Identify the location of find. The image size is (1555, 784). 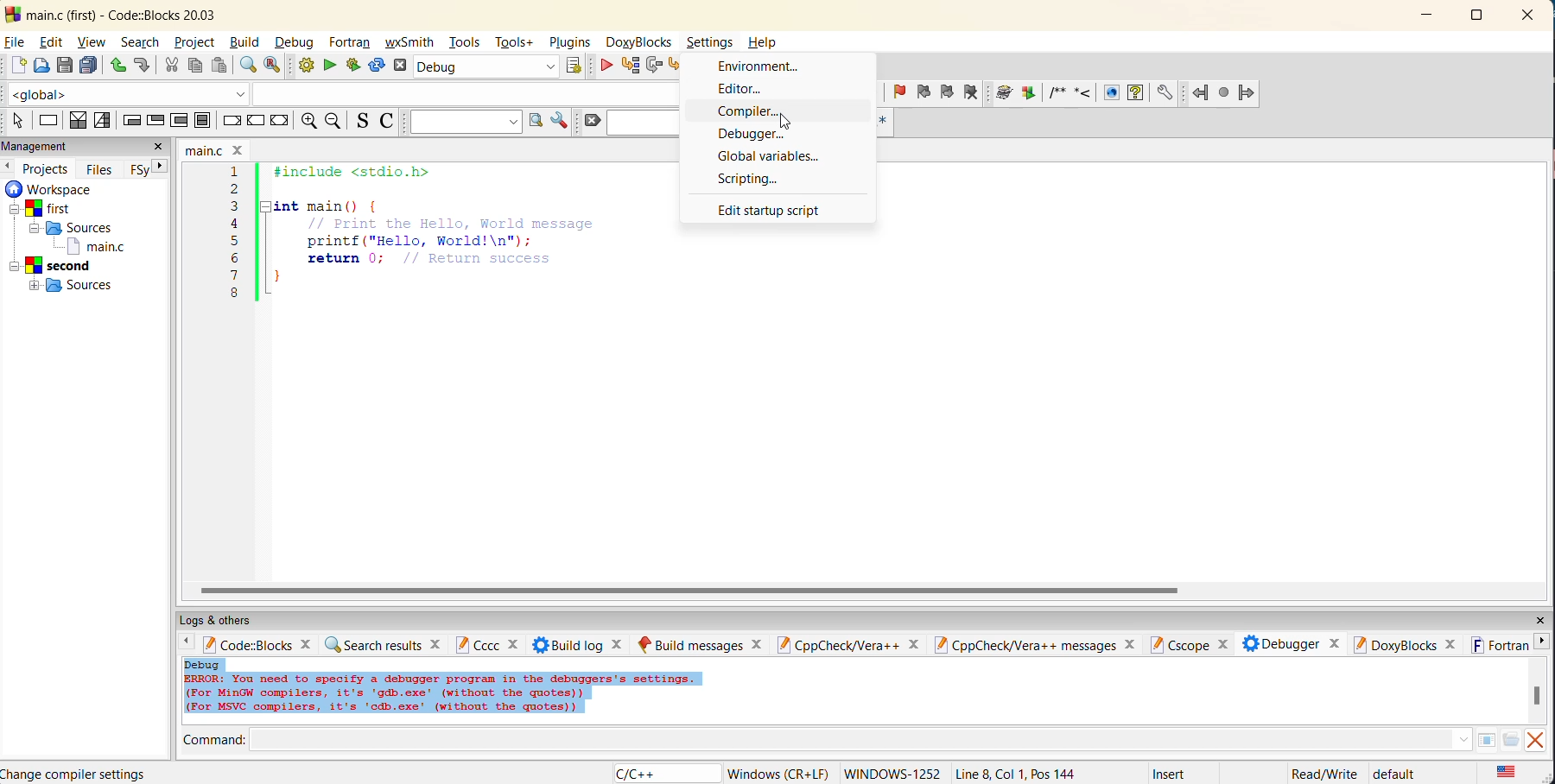
(247, 67).